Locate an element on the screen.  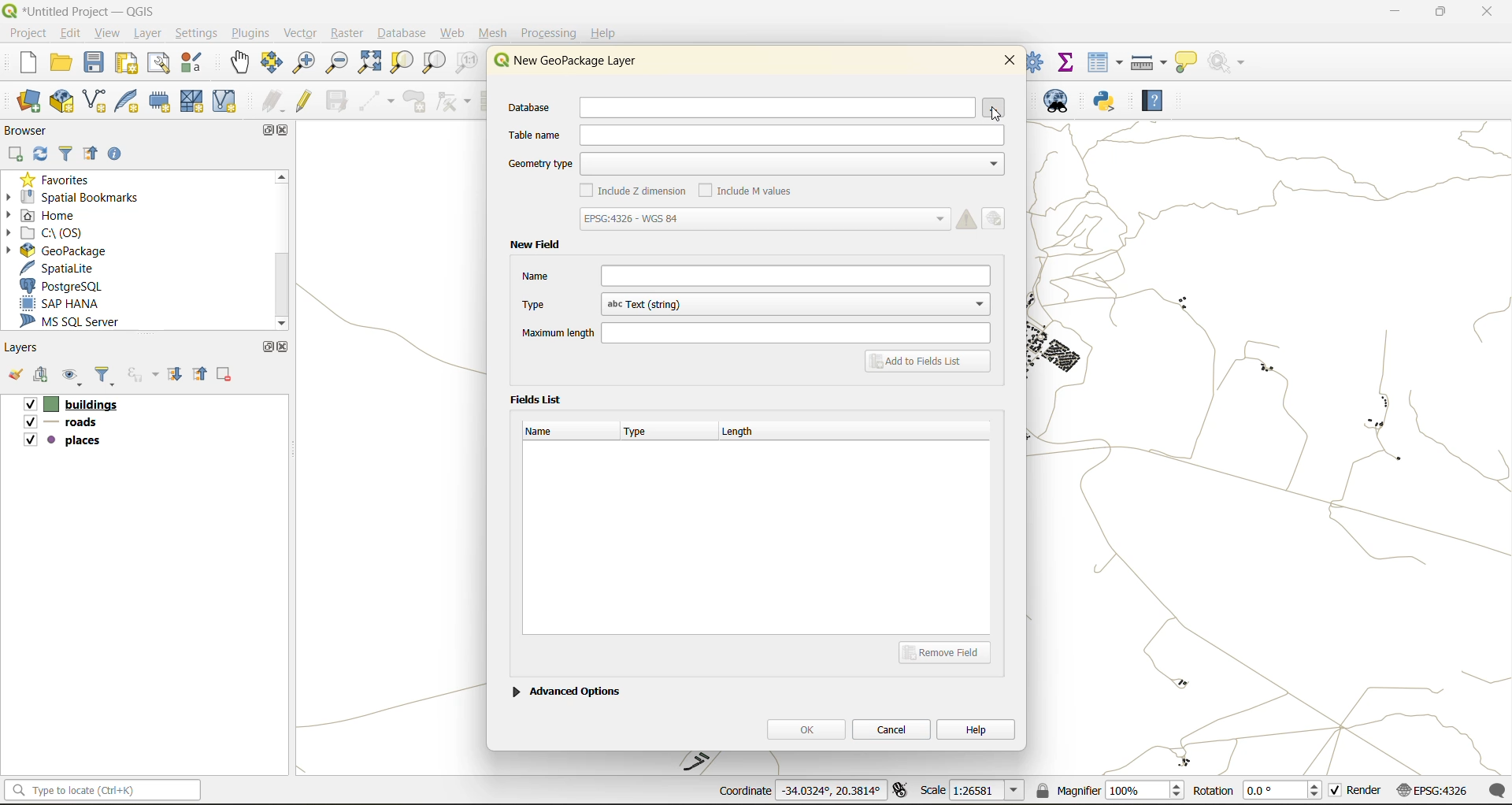
maximize is located at coordinates (1440, 14).